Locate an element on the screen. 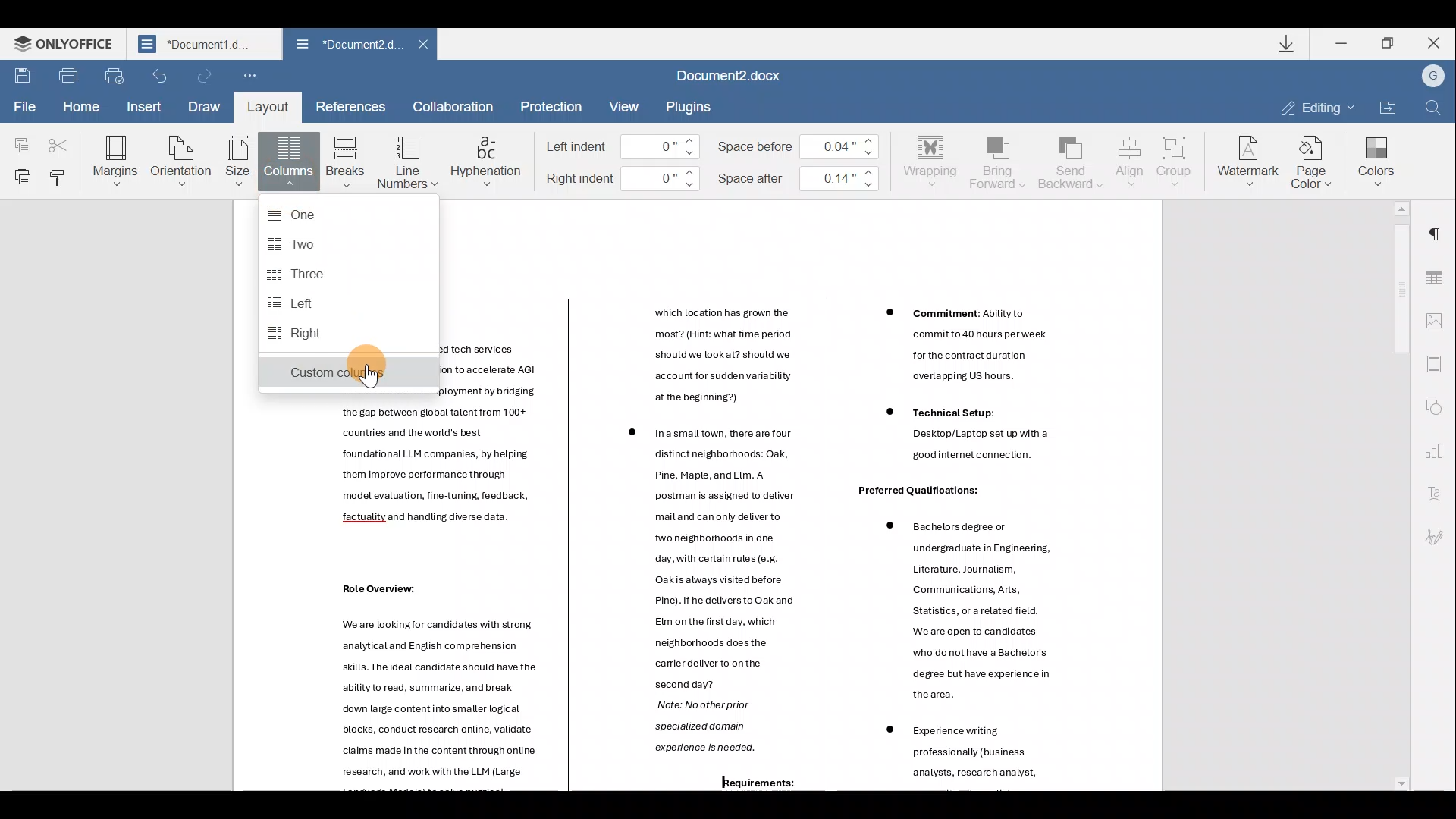 This screenshot has width=1456, height=819.  is located at coordinates (959, 752).